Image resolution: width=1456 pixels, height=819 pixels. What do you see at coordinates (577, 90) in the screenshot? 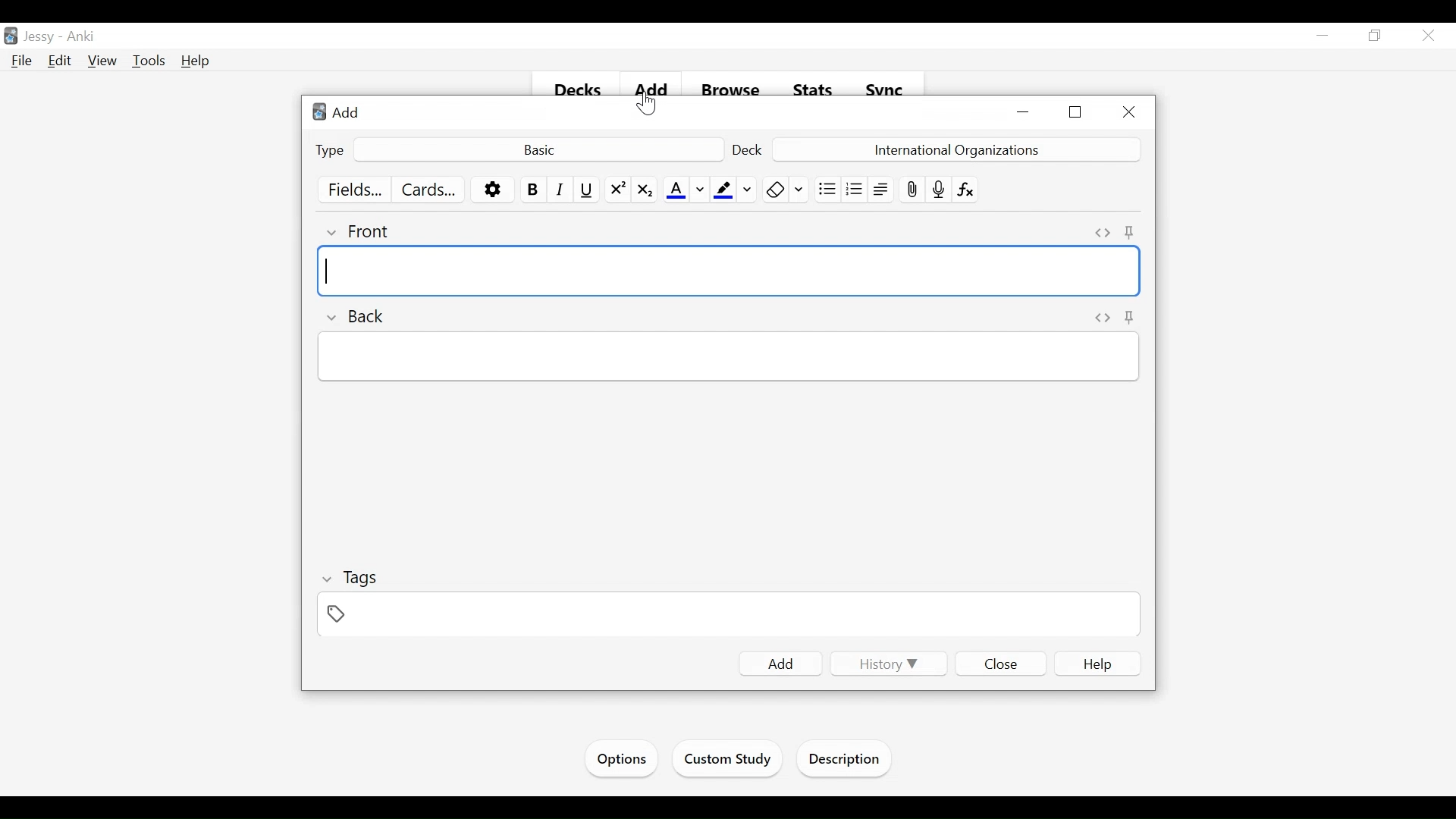
I see `Decks` at bounding box center [577, 90].